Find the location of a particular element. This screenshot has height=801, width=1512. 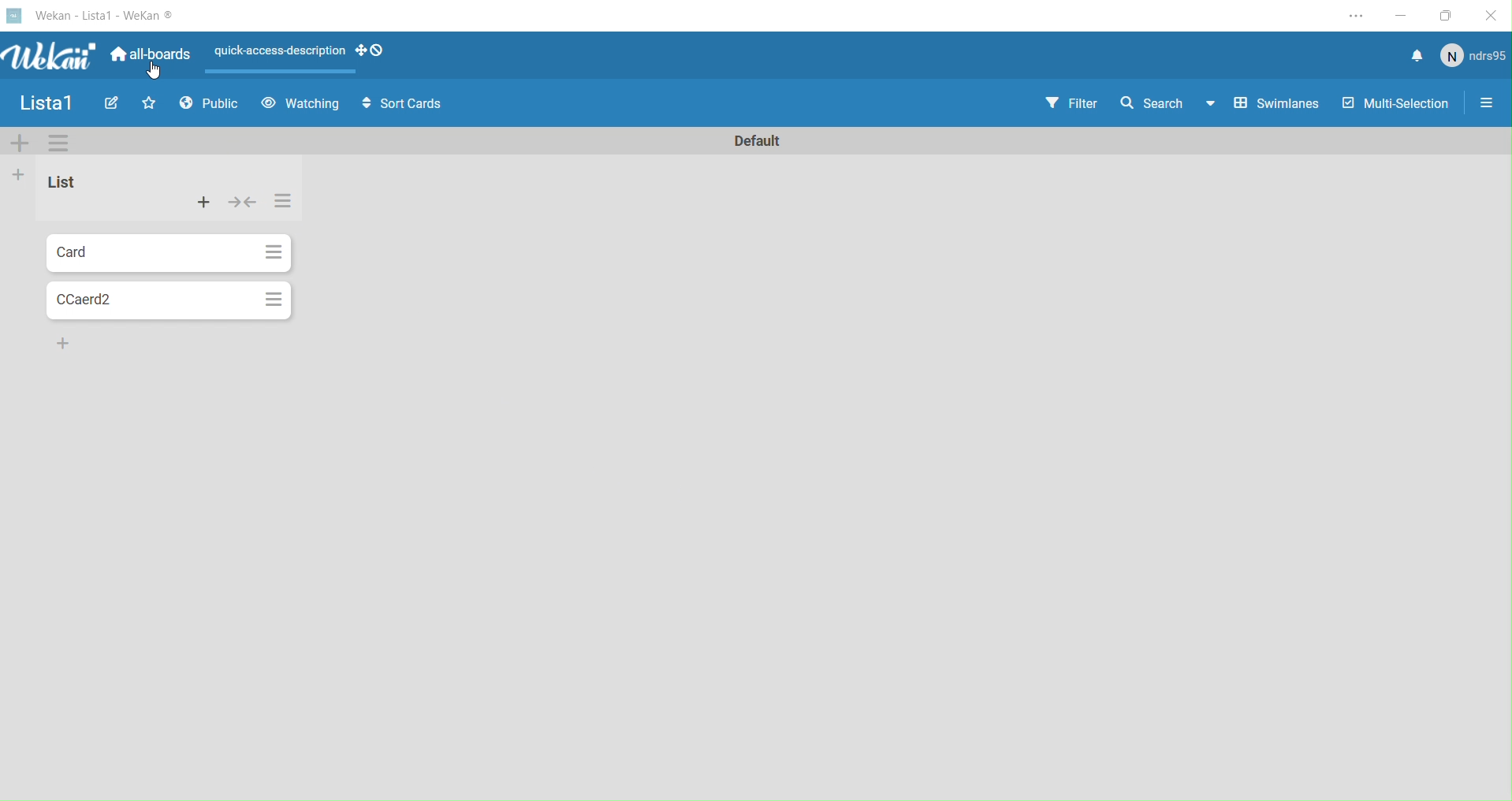

List is located at coordinates (65, 184).